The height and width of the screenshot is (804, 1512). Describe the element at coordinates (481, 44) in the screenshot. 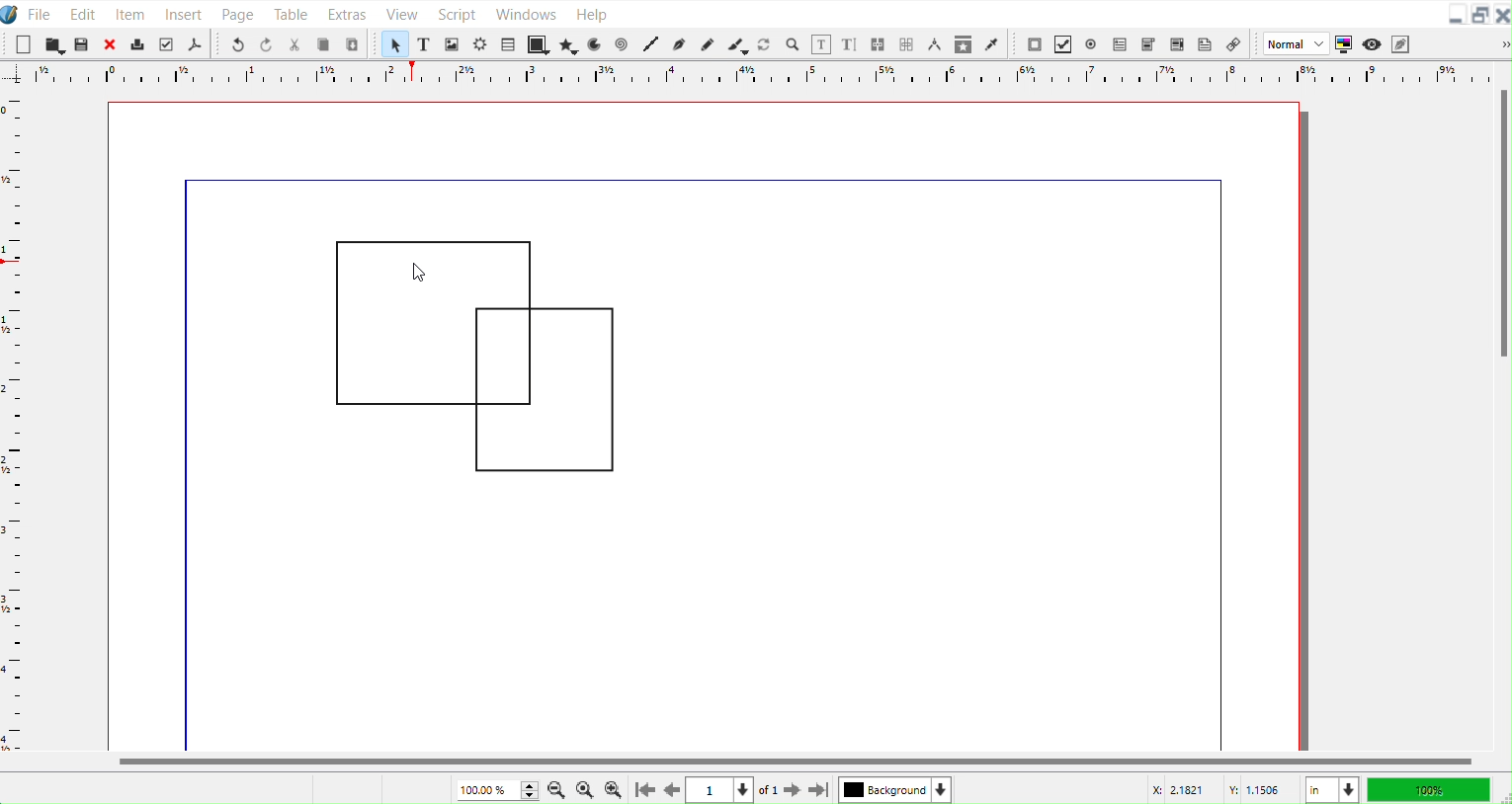

I see `Render frame` at that location.